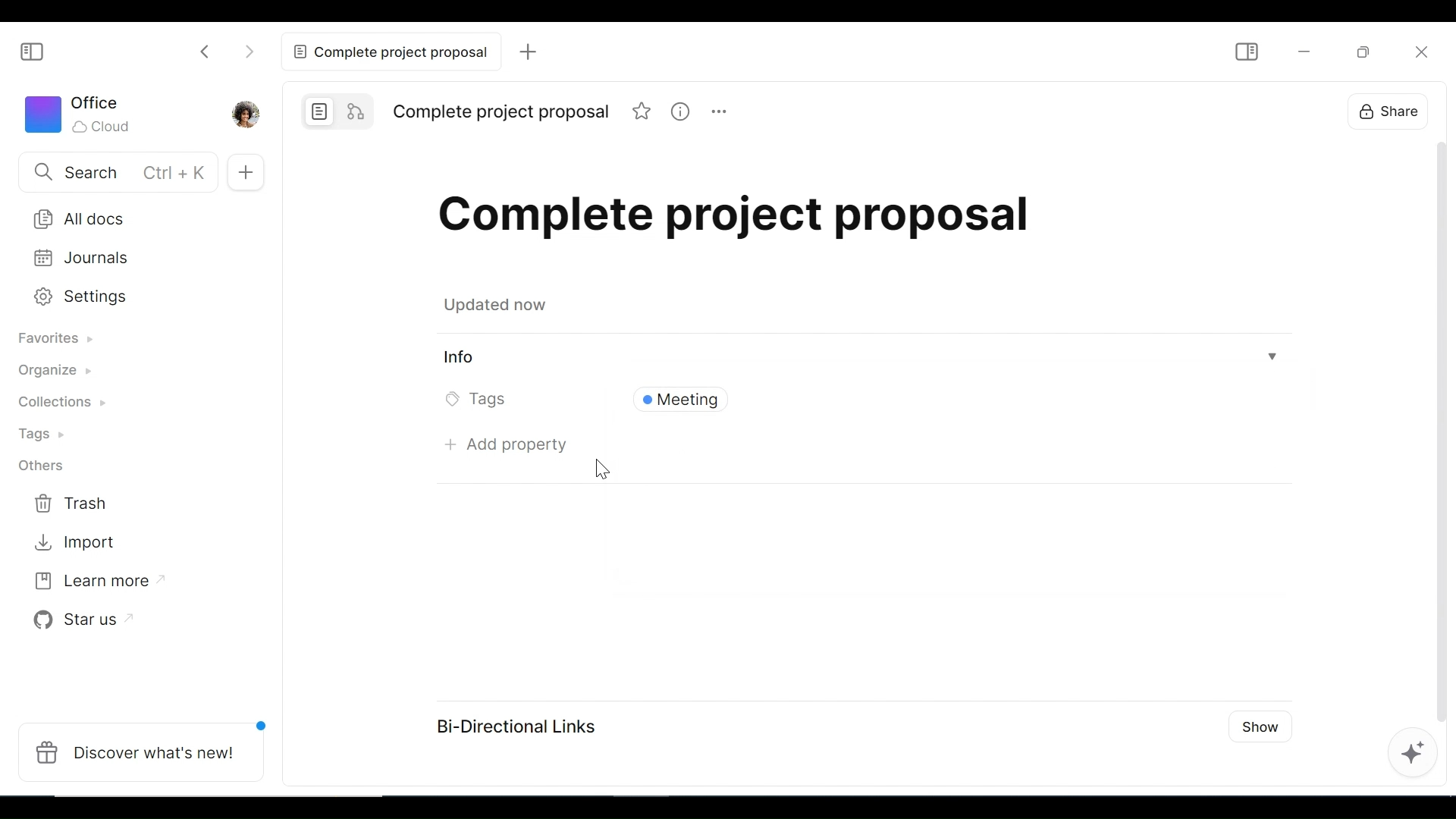 The height and width of the screenshot is (819, 1456). What do you see at coordinates (1438, 428) in the screenshot?
I see `Scrollbar` at bounding box center [1438, 428].